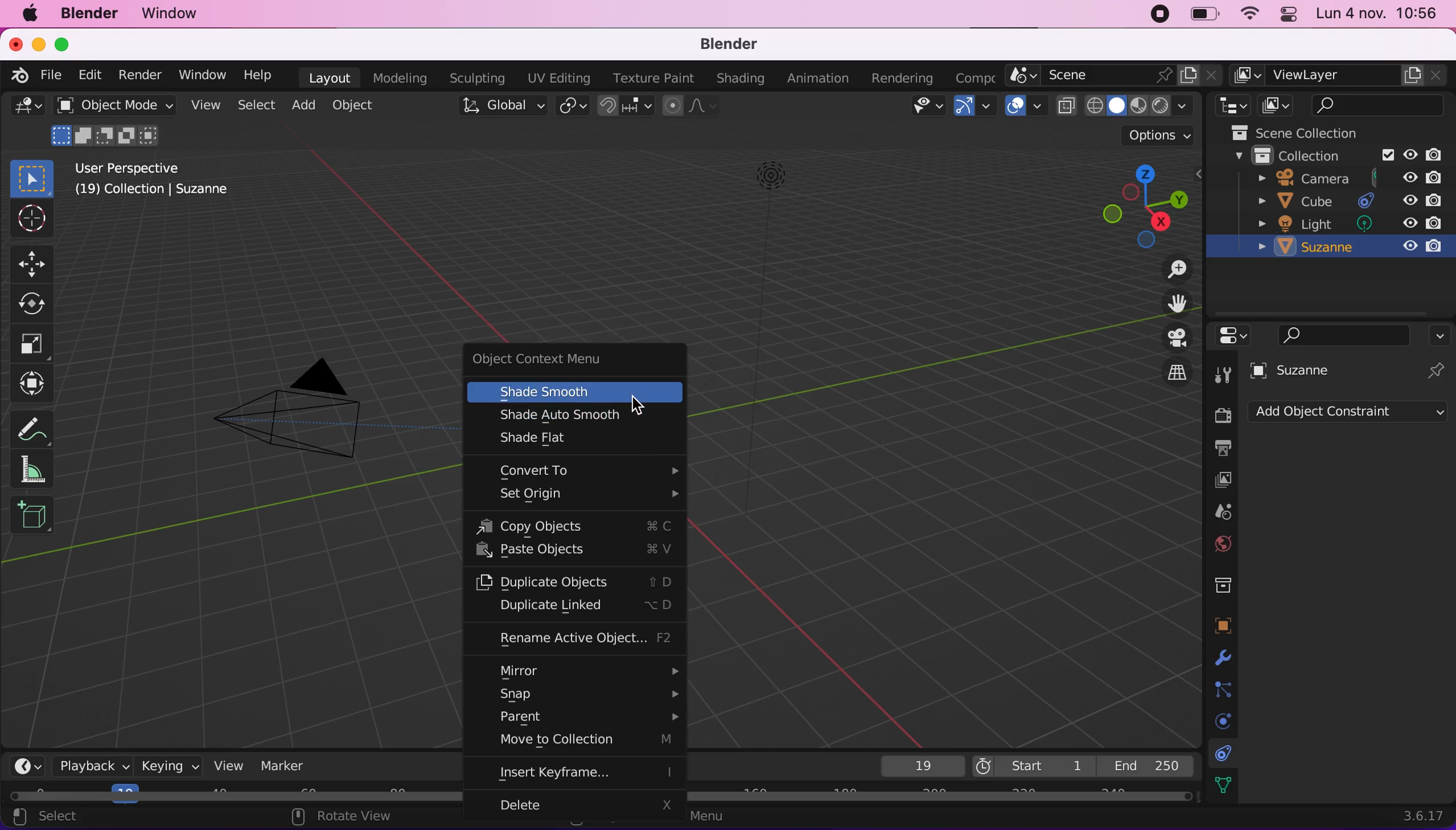  What do you see at coordinates (91, 14) in the screenshot?
I see `blender` at bounding box center [91, 14].